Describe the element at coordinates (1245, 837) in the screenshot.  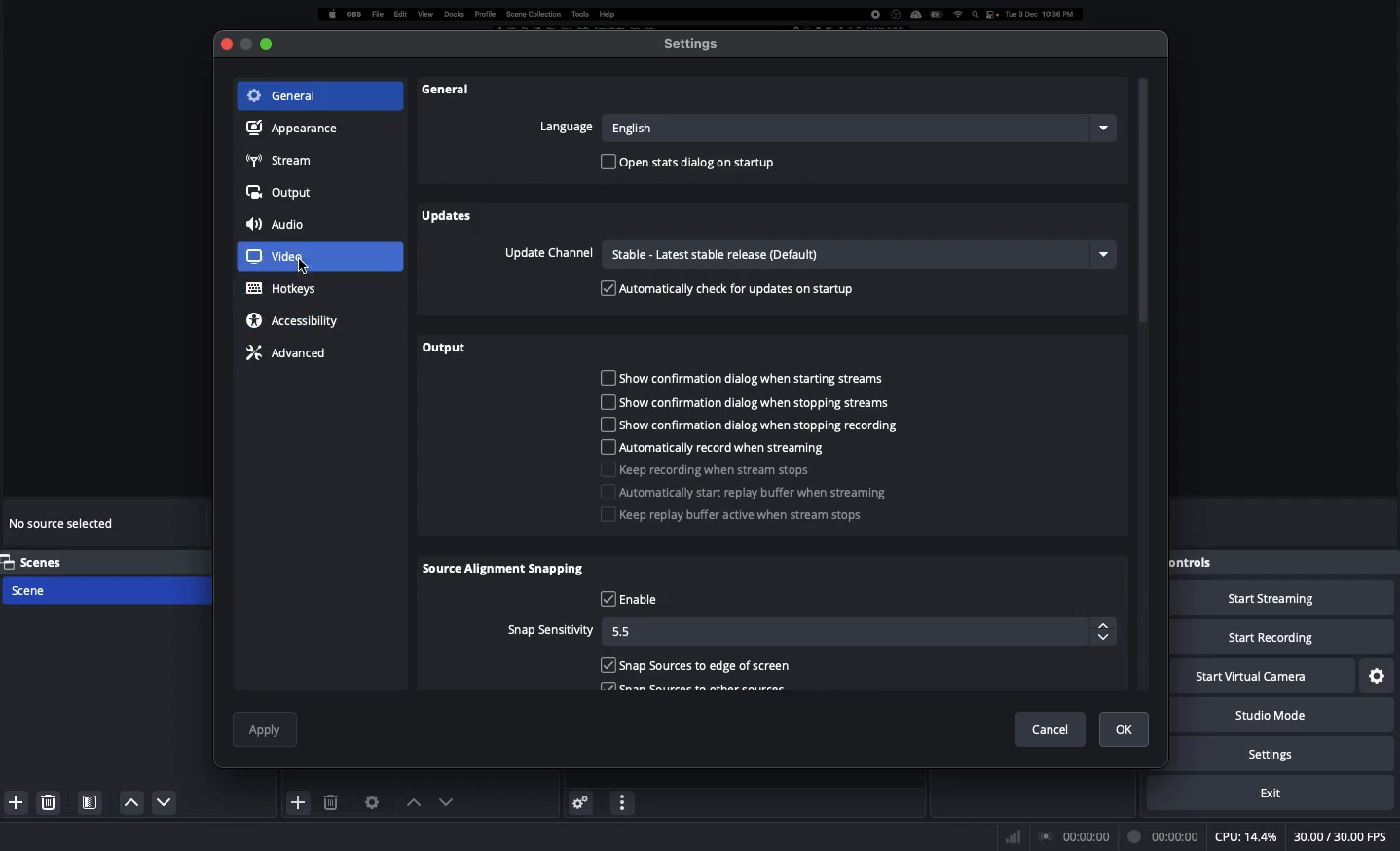
I see `CPU` at that location.